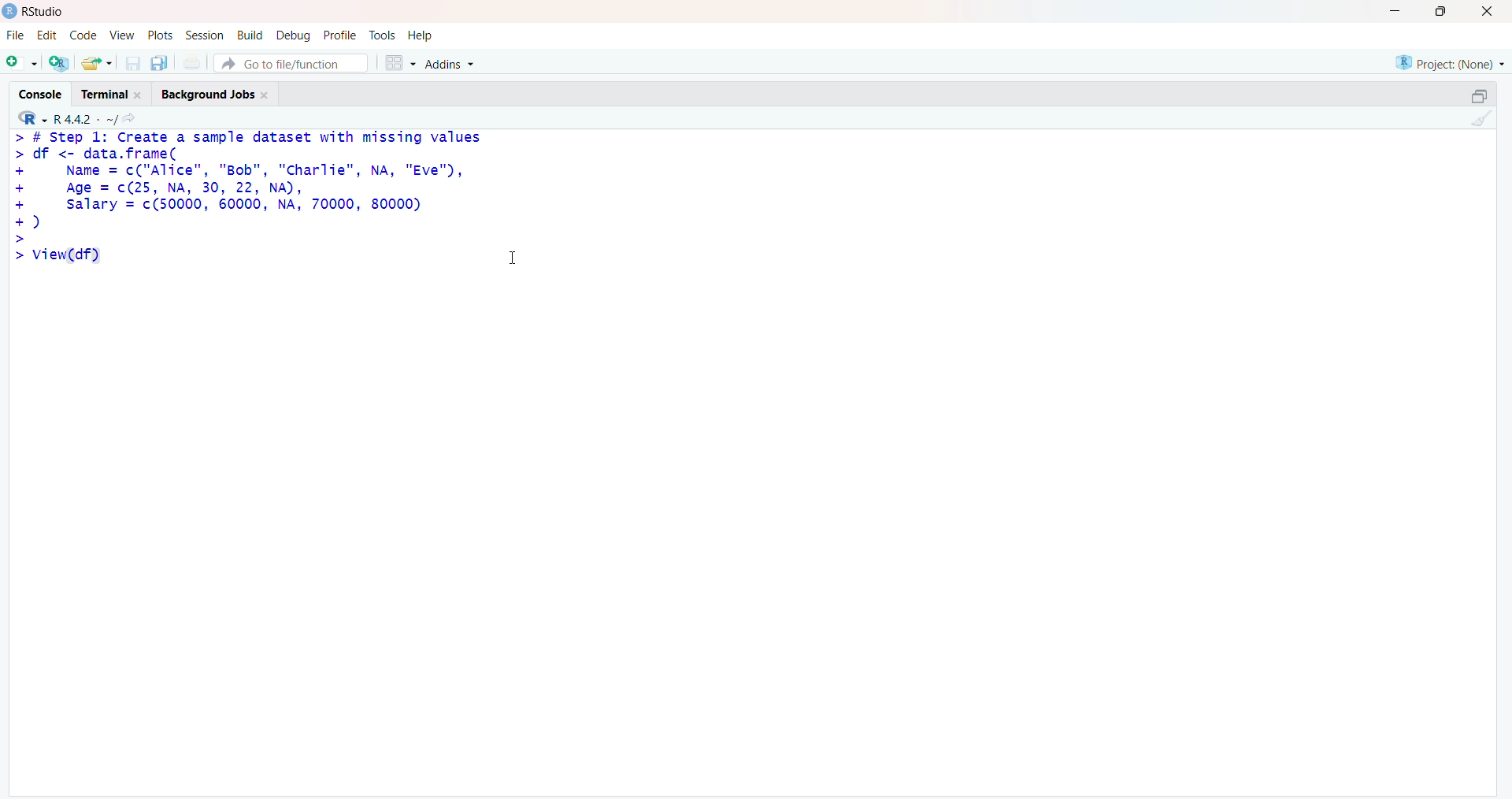 The image size is (1512, 799). Describe the element at coordinates (57, 63) in the screenshot. I see `Create a project` at that location.